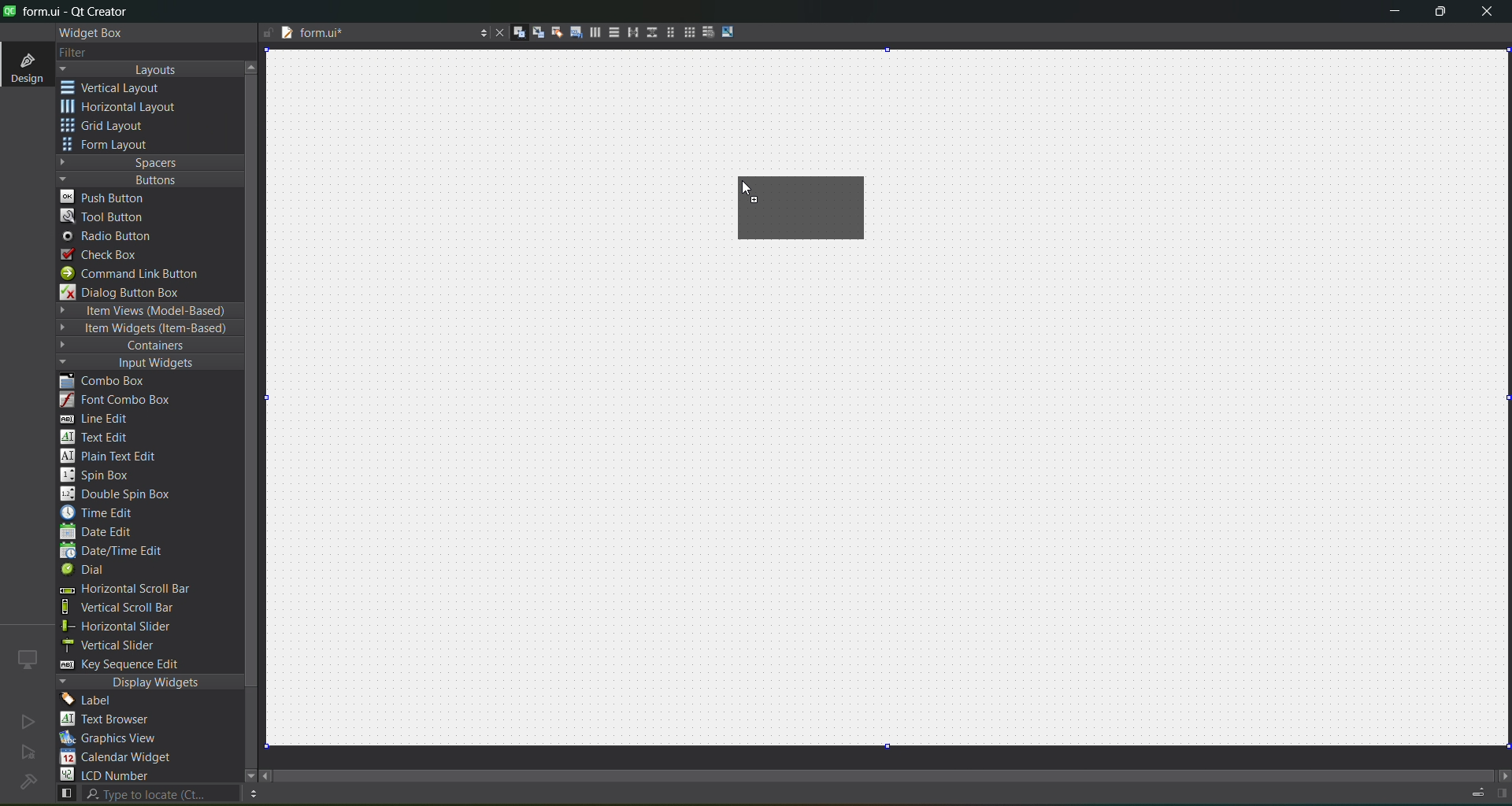 The image size is (1512, 806). I want to click on grid, so click(113, 128).